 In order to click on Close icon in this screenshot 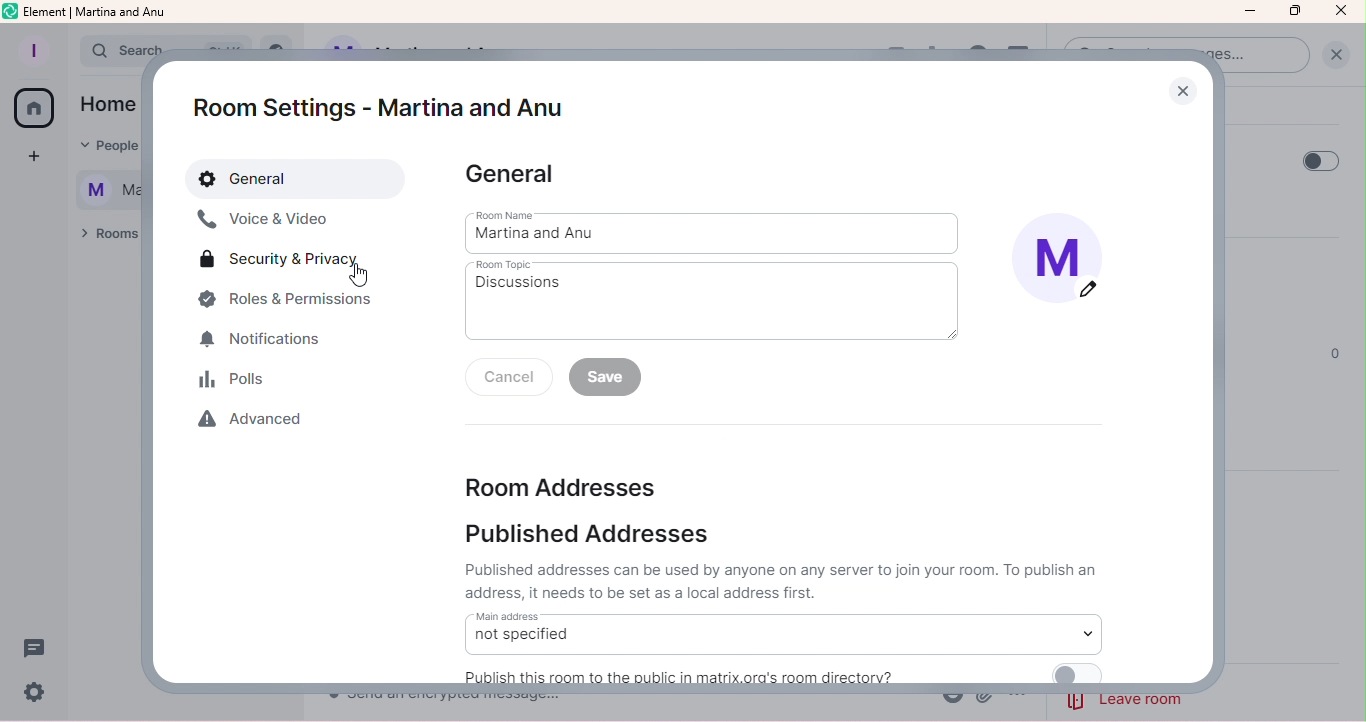, I will do `click(1341, 12)`.